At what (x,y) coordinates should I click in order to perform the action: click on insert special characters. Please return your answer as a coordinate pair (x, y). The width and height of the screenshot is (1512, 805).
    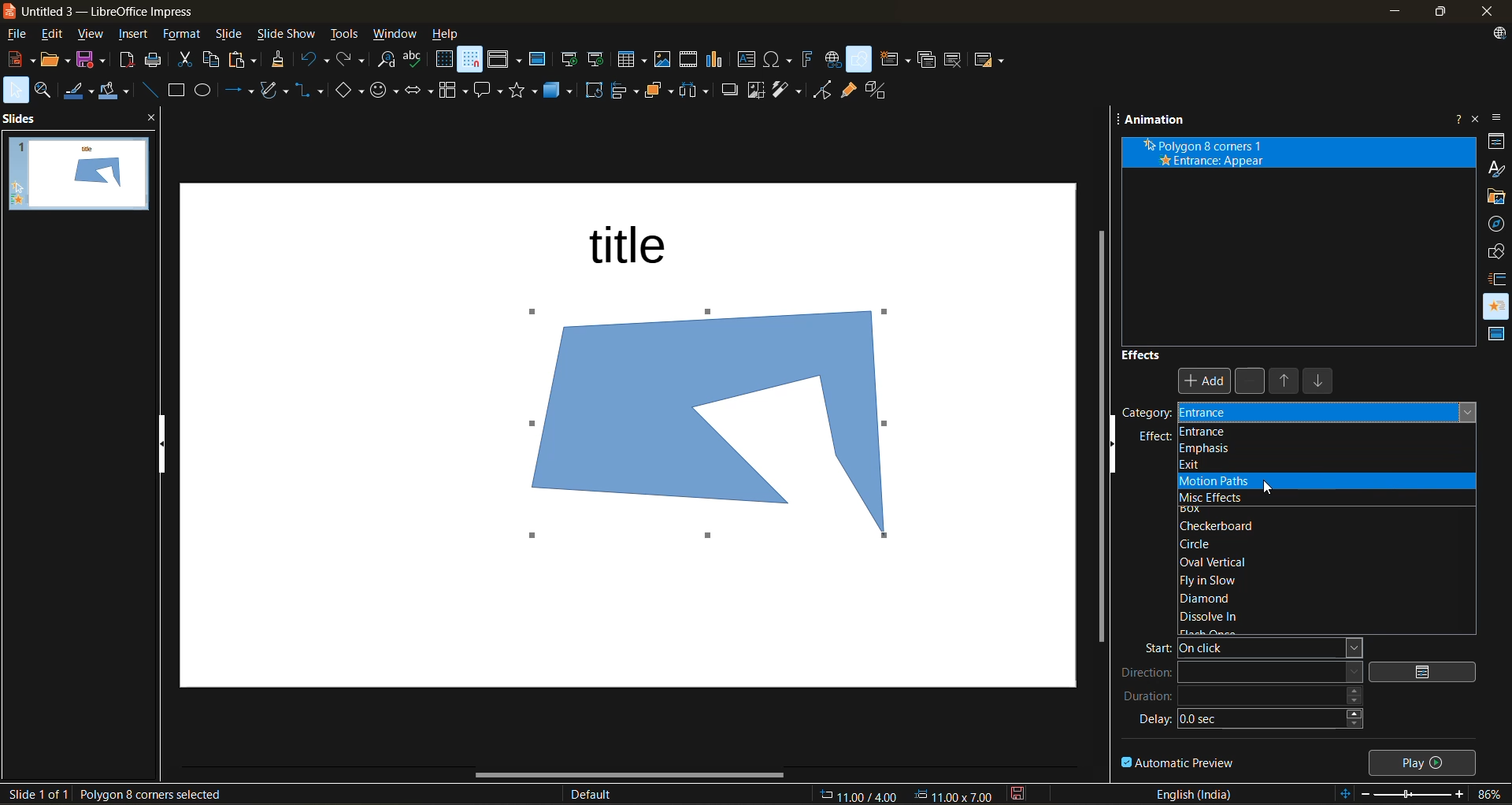
    Looking at the image, I should click on (779, 61).